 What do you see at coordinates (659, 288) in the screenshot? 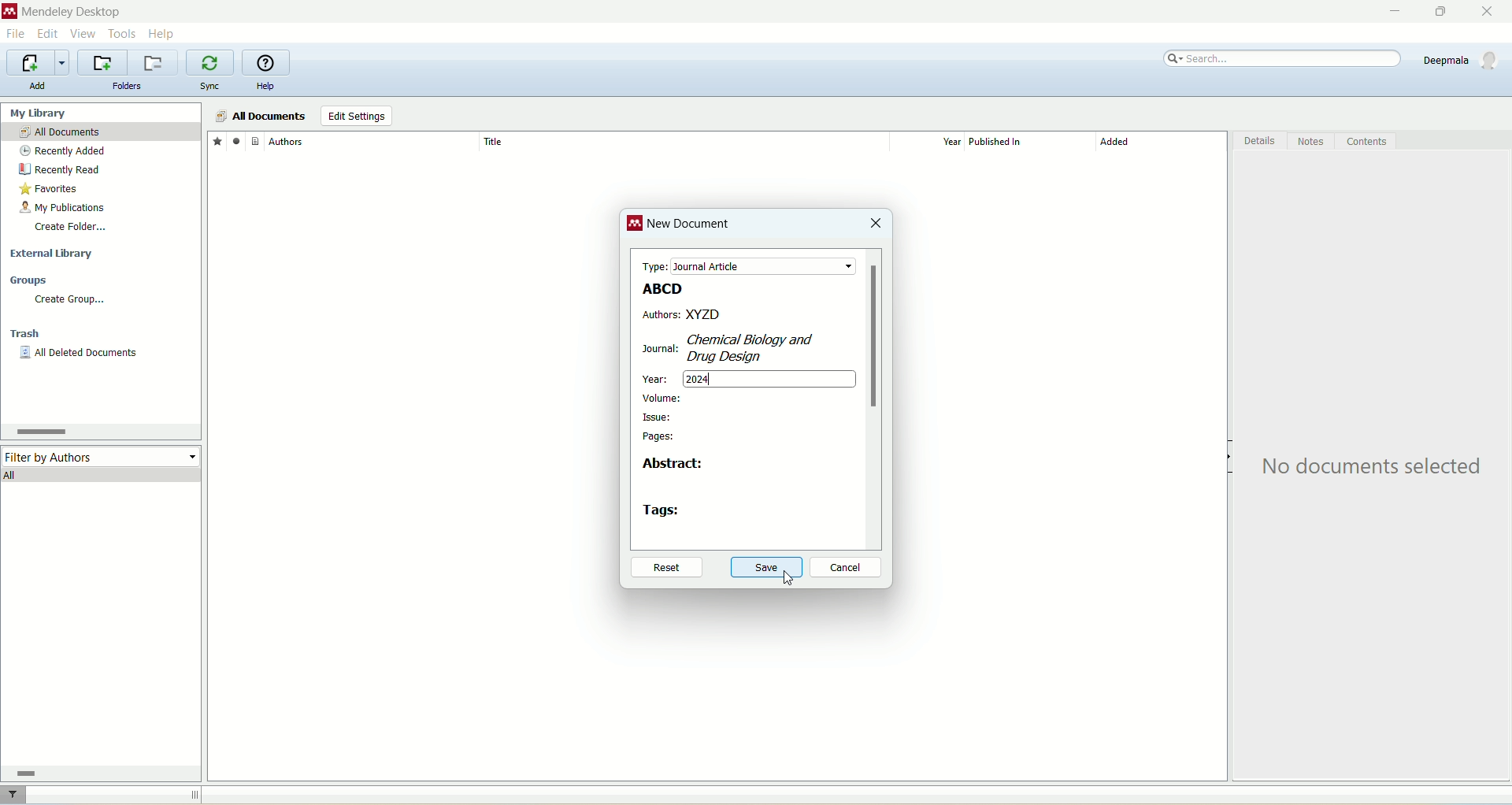
I see `ABCD` at bounding box center [659, 288].